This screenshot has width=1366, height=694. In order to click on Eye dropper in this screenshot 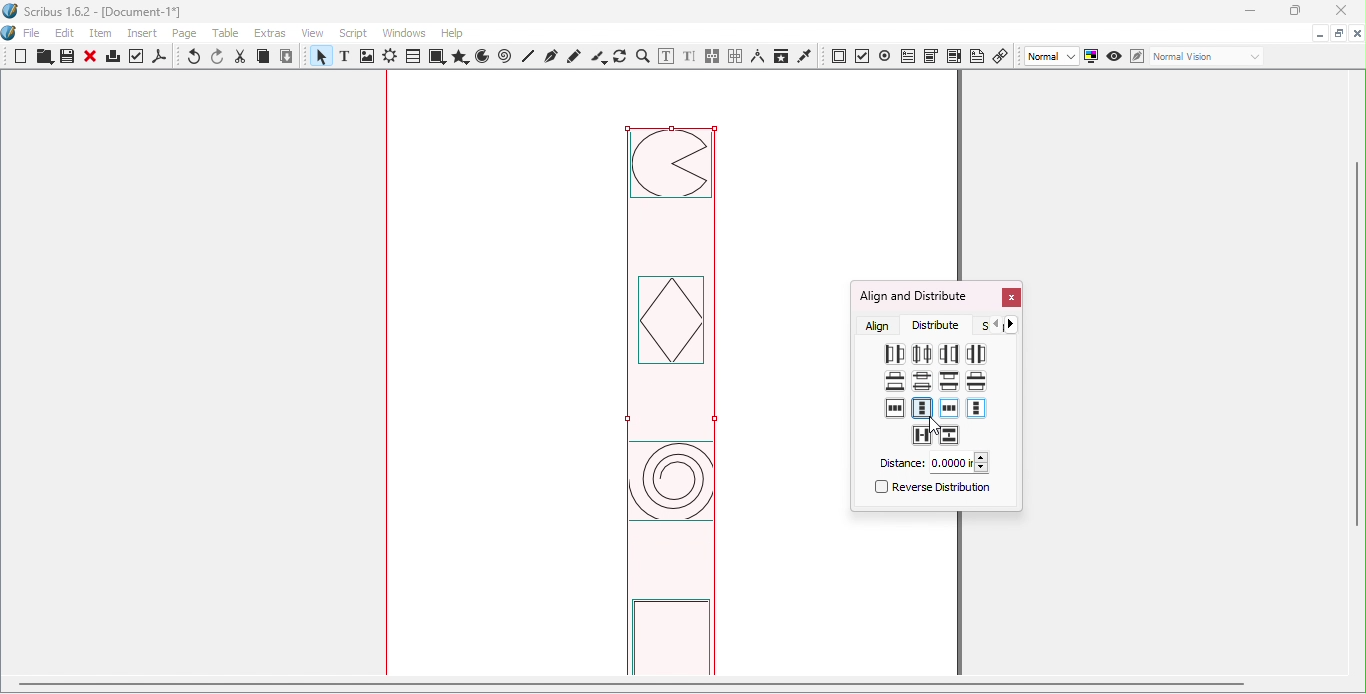, I will do `click(805, 55)`.